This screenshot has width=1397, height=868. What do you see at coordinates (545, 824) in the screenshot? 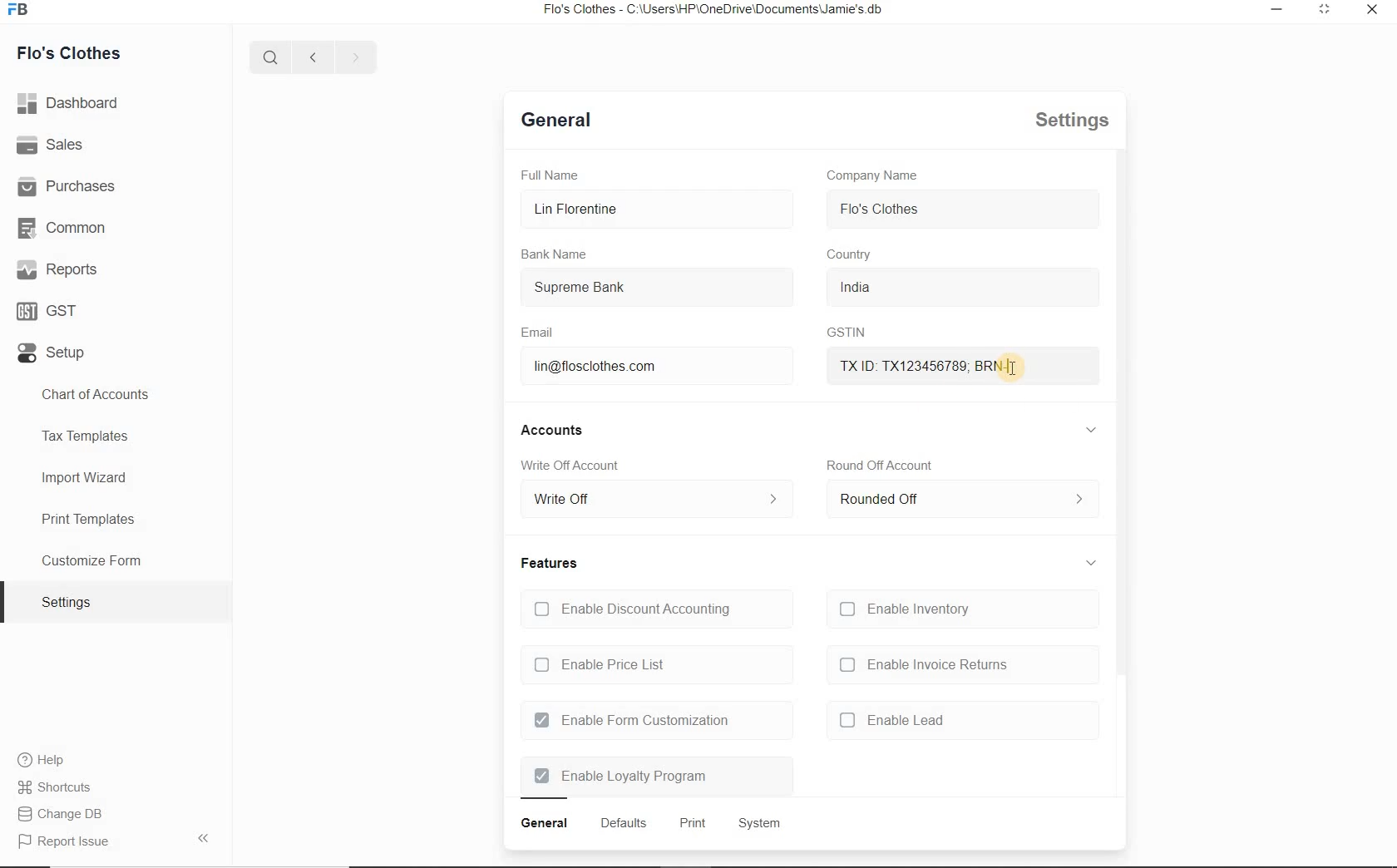
I see `general` at bounding box center [545, 824].